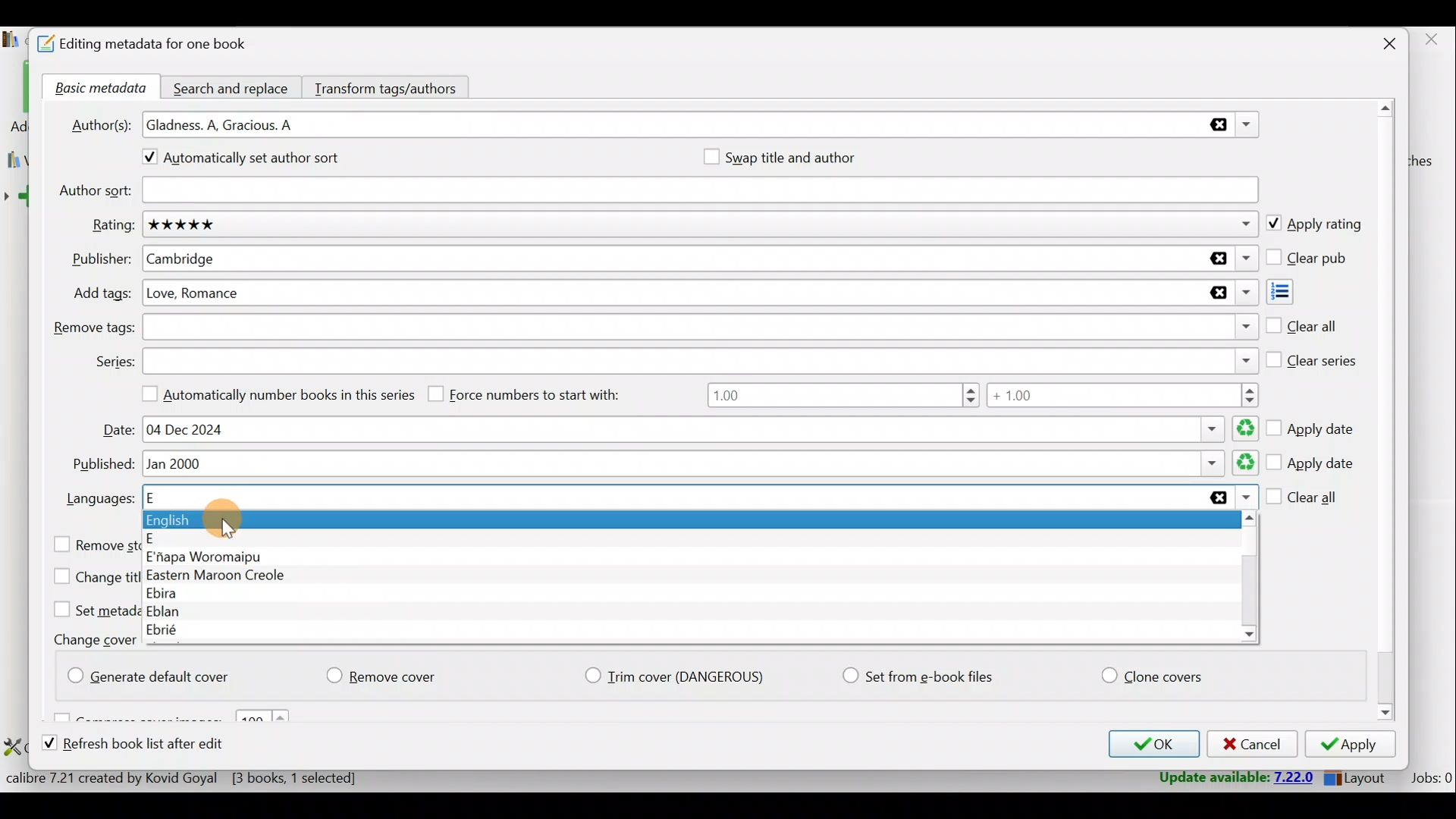 This screenshot has height=819, width=1456. What do you see at coordinates (1311, 464) in the screenshot?
I see `Apply date` at bounding box center [1311, 464].